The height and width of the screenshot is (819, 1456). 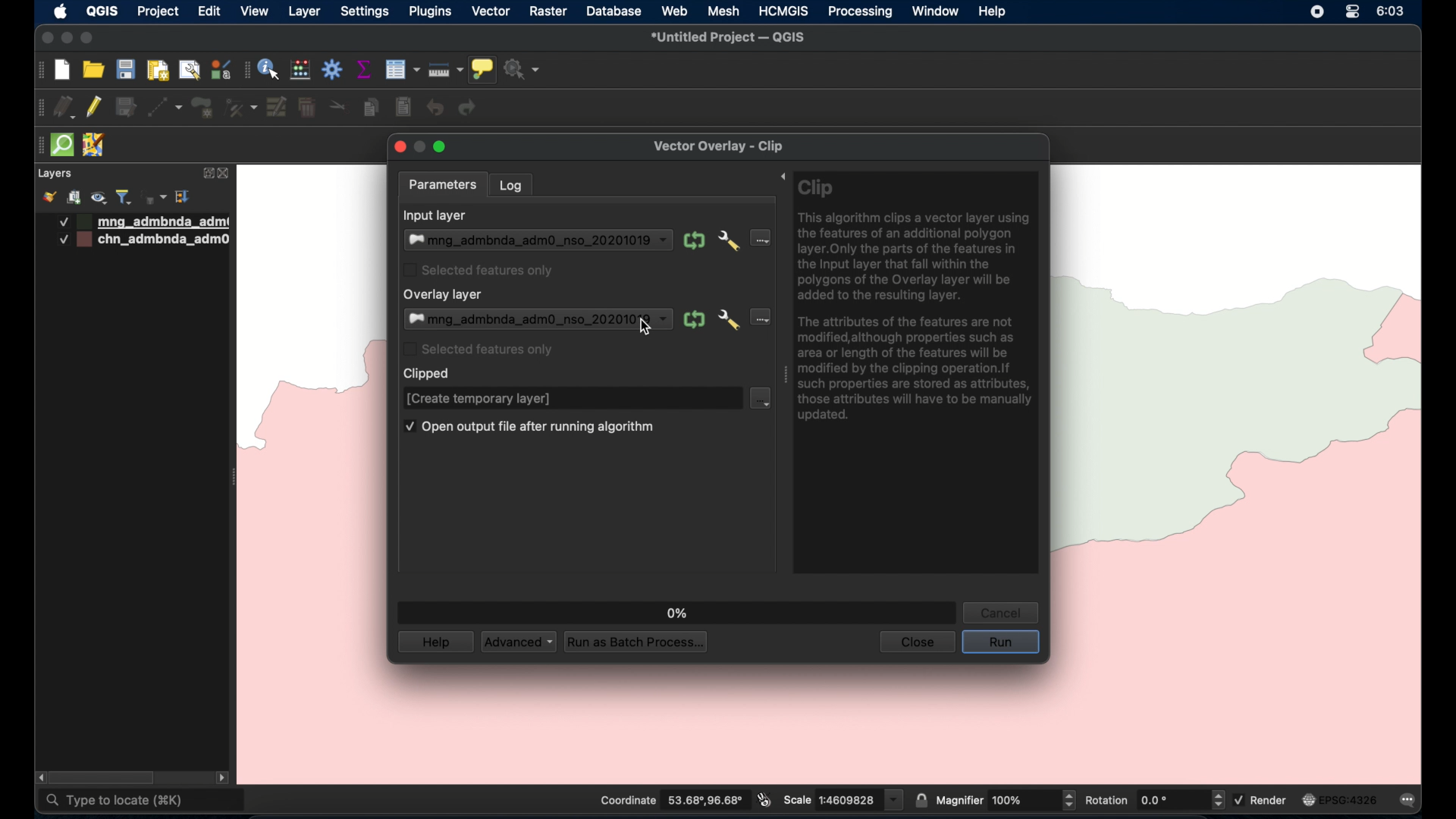 What do you see at coordinates (145, 222) in the screenshot?
I see `layer 1` at bounding box center [145, 222].